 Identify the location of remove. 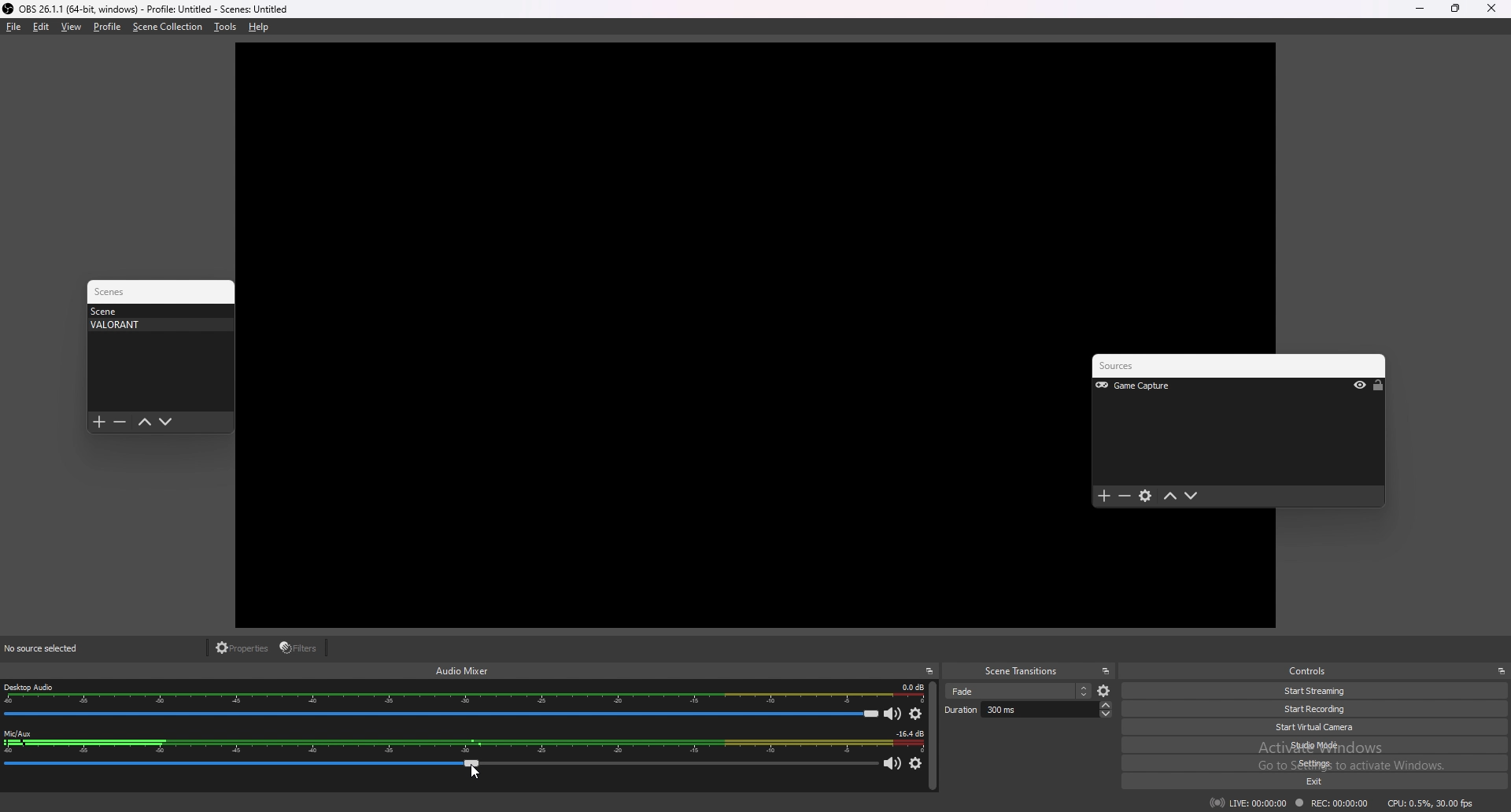
(1125, 497).